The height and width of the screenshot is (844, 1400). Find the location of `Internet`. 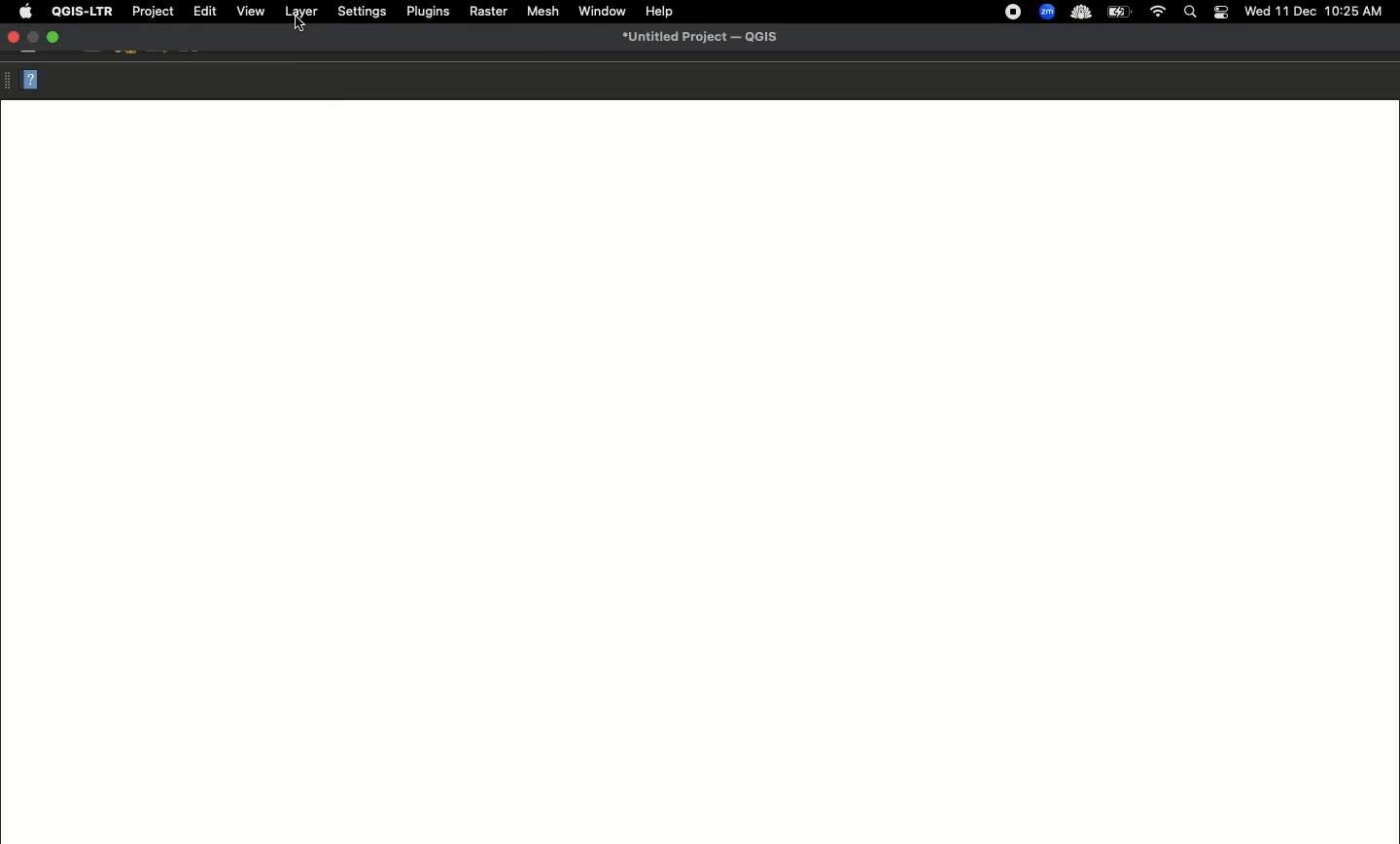

Internet is located at coordinates (1157, 12).